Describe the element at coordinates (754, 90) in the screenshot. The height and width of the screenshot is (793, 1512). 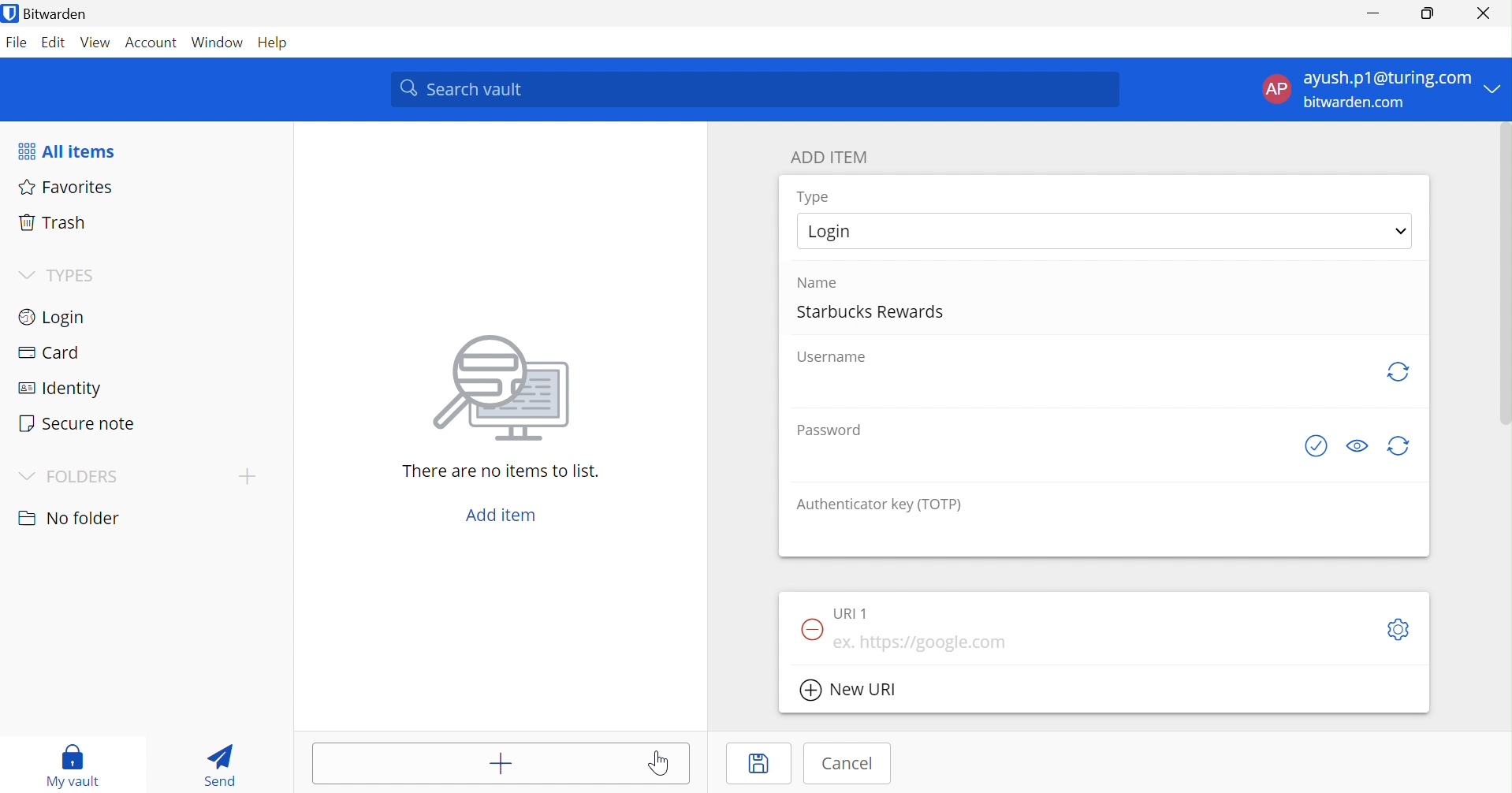
I see `Search vault` at that location.